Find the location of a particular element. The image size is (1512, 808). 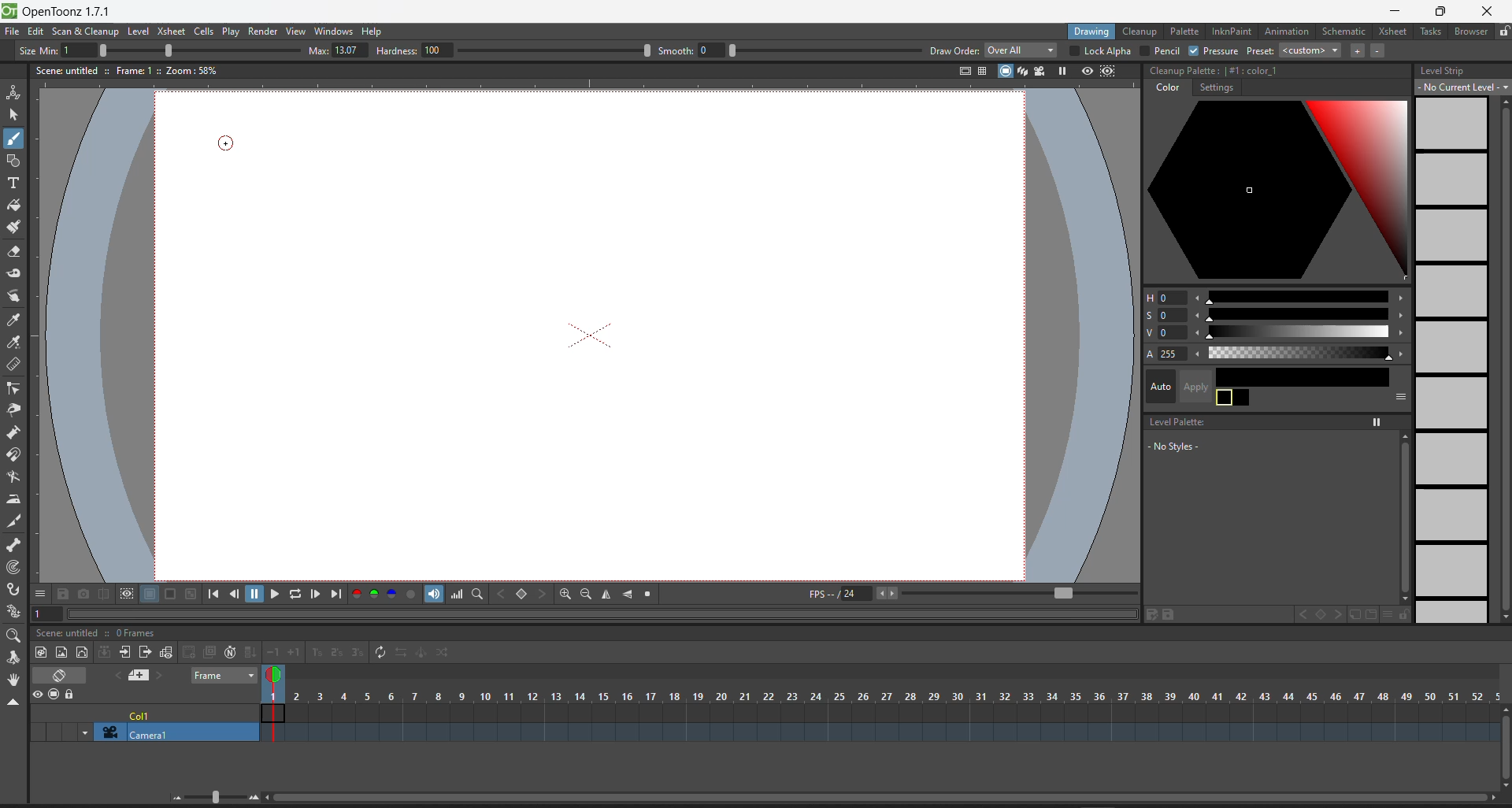

animation is located at coordinates (1288, 31).